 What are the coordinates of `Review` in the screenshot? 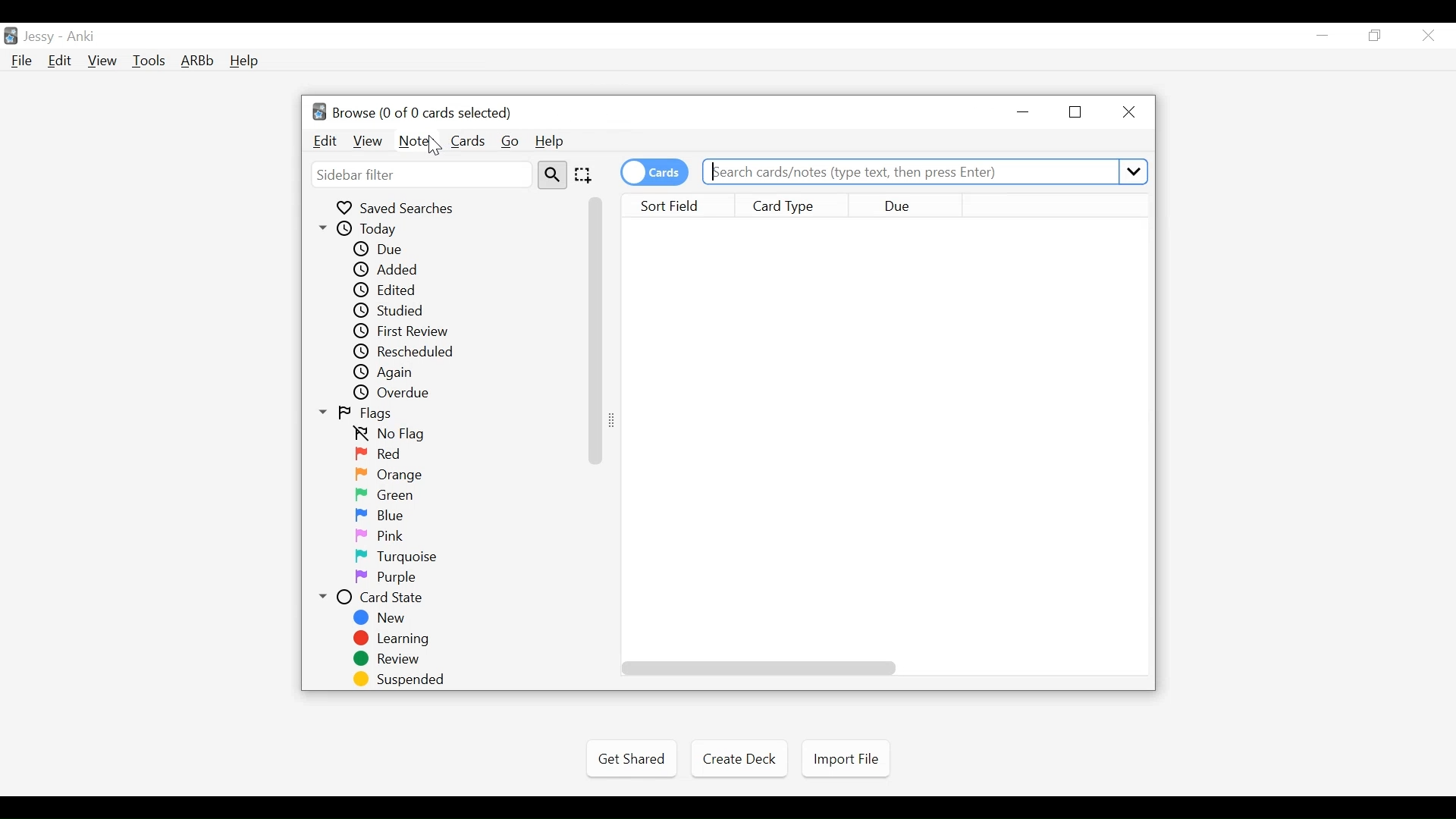 It's located at (394, 659).